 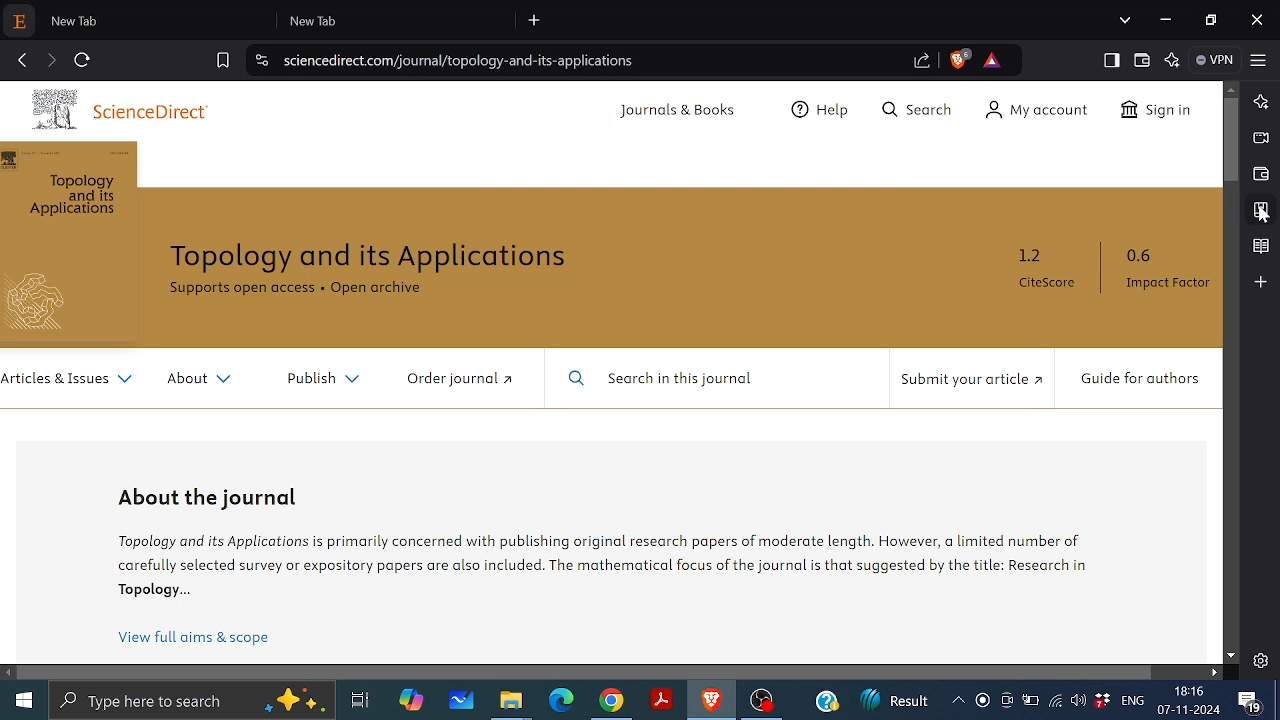 What do you see at coordinates (1250, 701) in the screenshot?
I see `Masseges` at bounding box center [1250, 701].